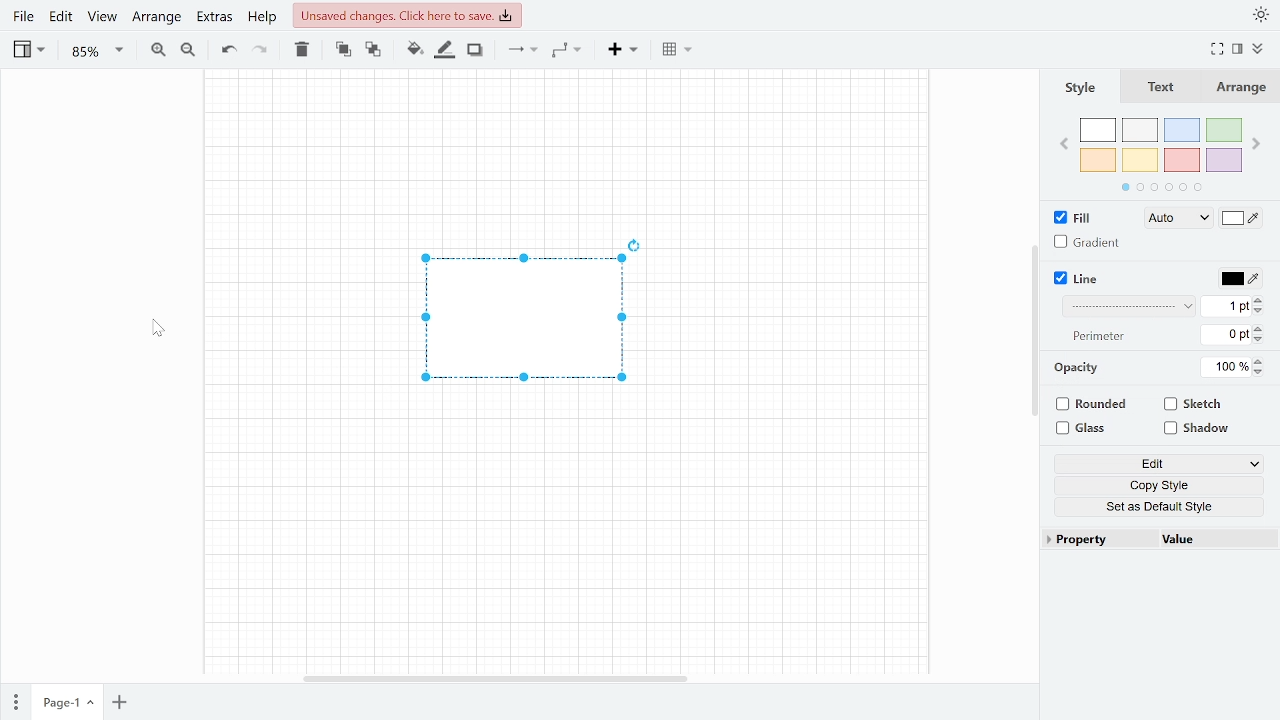  What do you see at coordinates (1092, 542) in the screenshot?
I see `Property` at bounding box center [1092, 542].